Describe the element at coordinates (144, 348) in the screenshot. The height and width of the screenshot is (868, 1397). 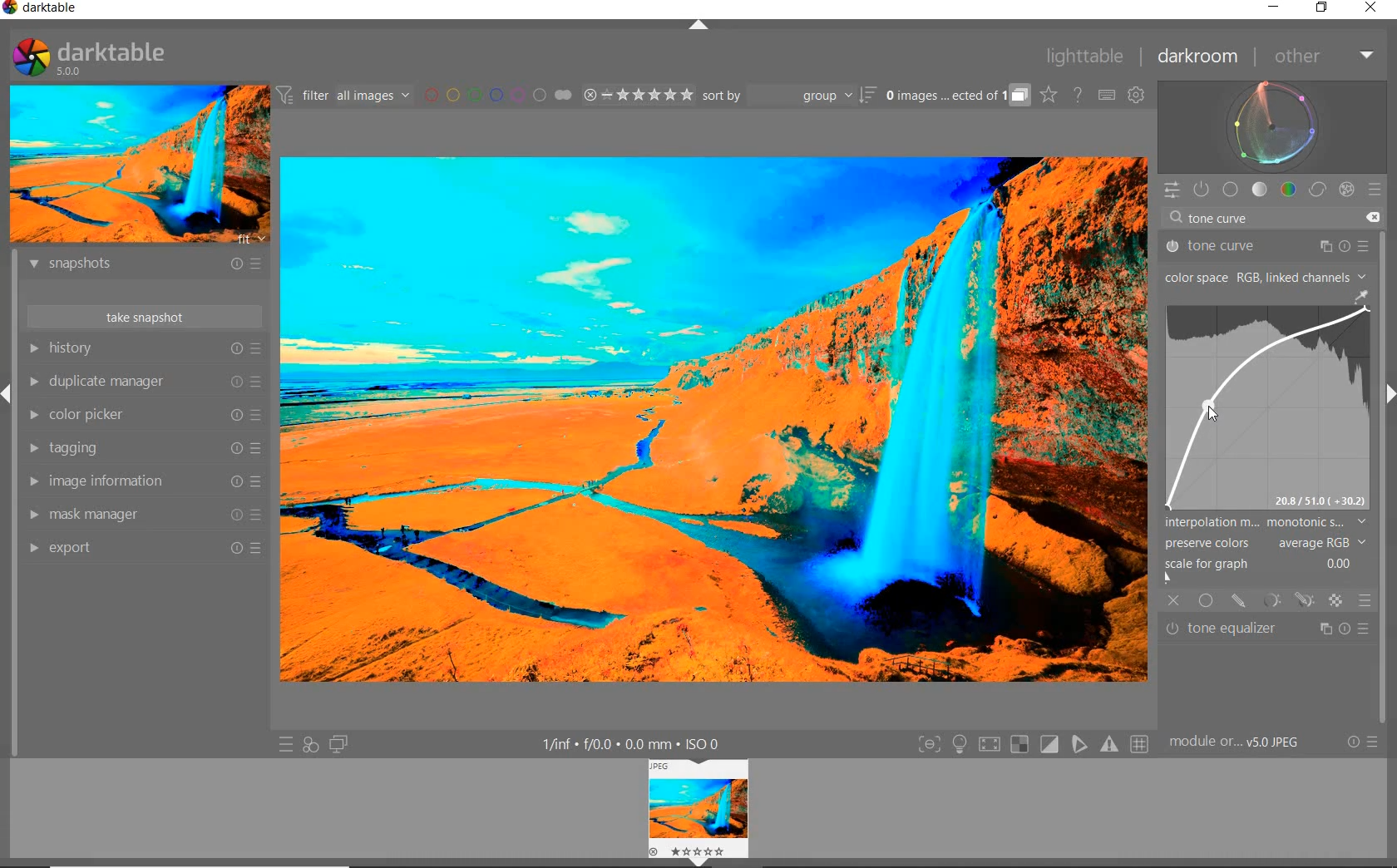
I see `history` at that location.